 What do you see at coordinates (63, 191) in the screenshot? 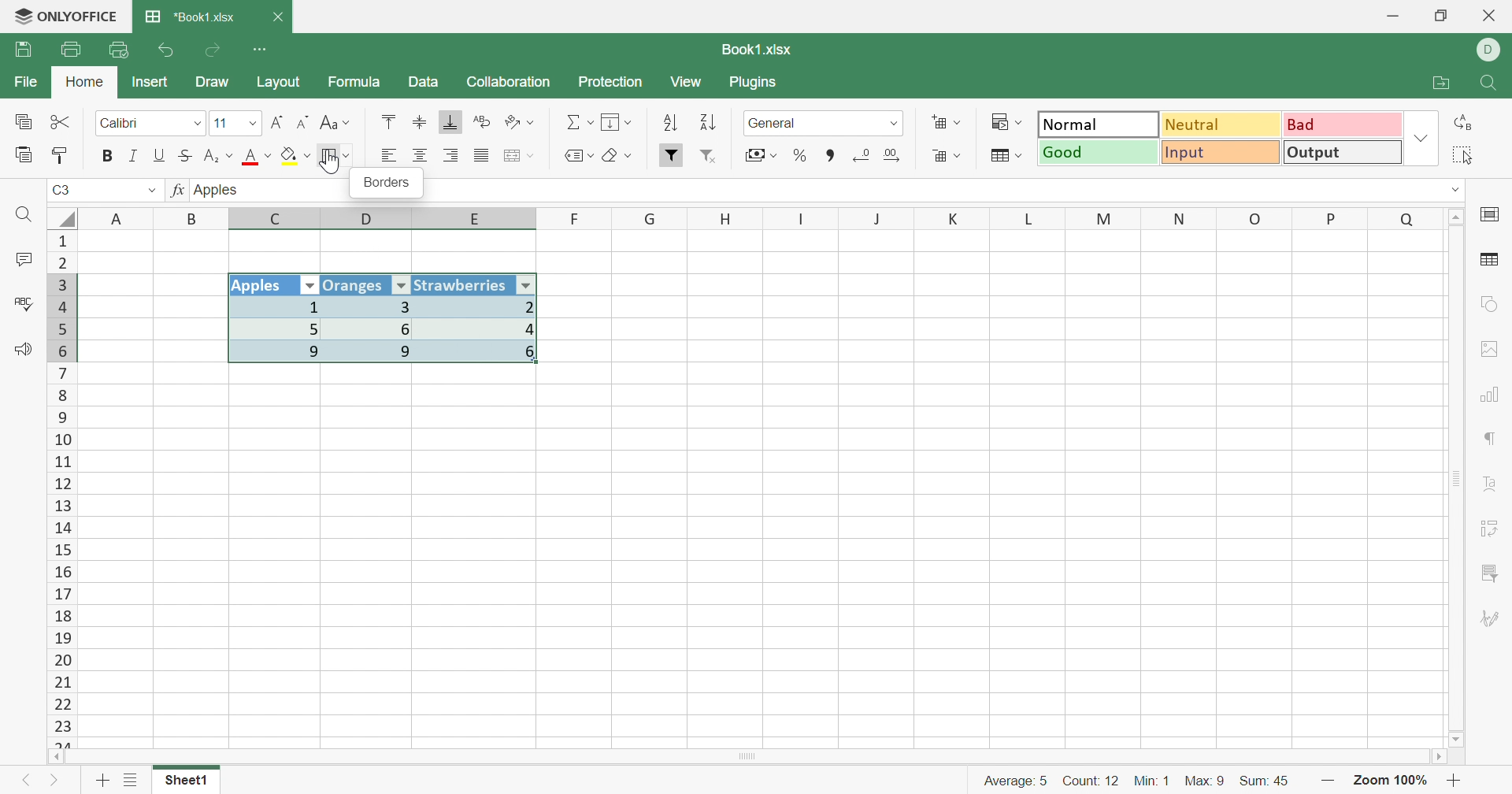
I see `C3` at bounding box center [63, 191].